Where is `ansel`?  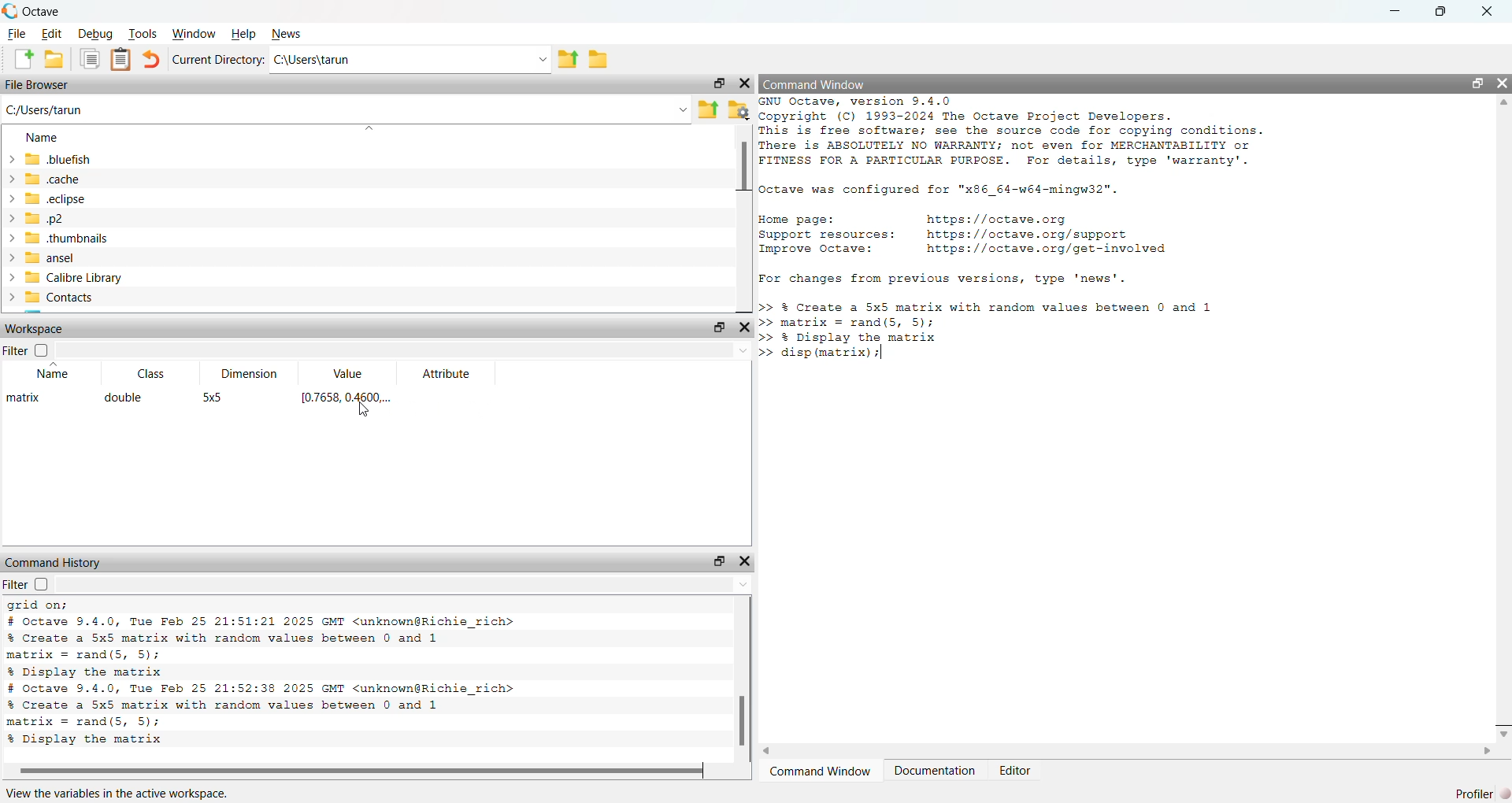
ansel is located at coordinates (55, 258).